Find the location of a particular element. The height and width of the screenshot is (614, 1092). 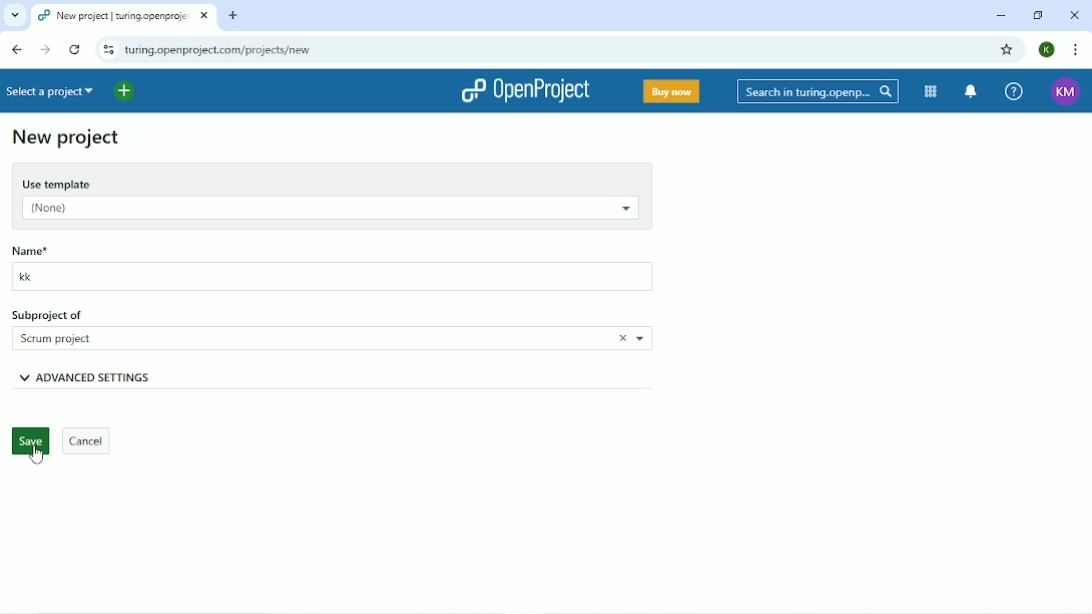

Bookmark this tab is located at coordinates (1007, 49).